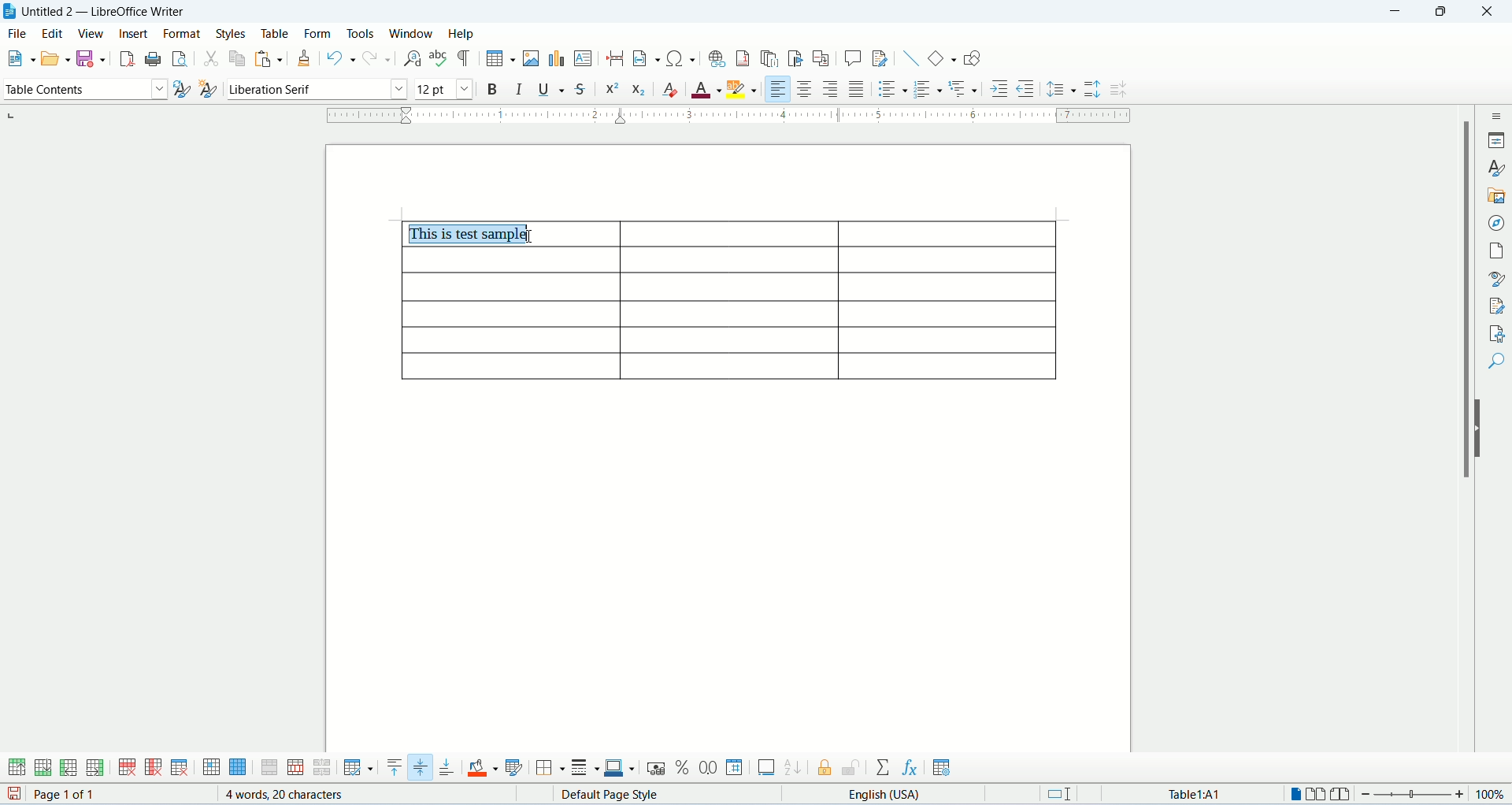 The image size is (1512, 805). What do you see at coordinates (532, 59) in the screenshot?
I see `insert image` at bounding box center [532, 59].